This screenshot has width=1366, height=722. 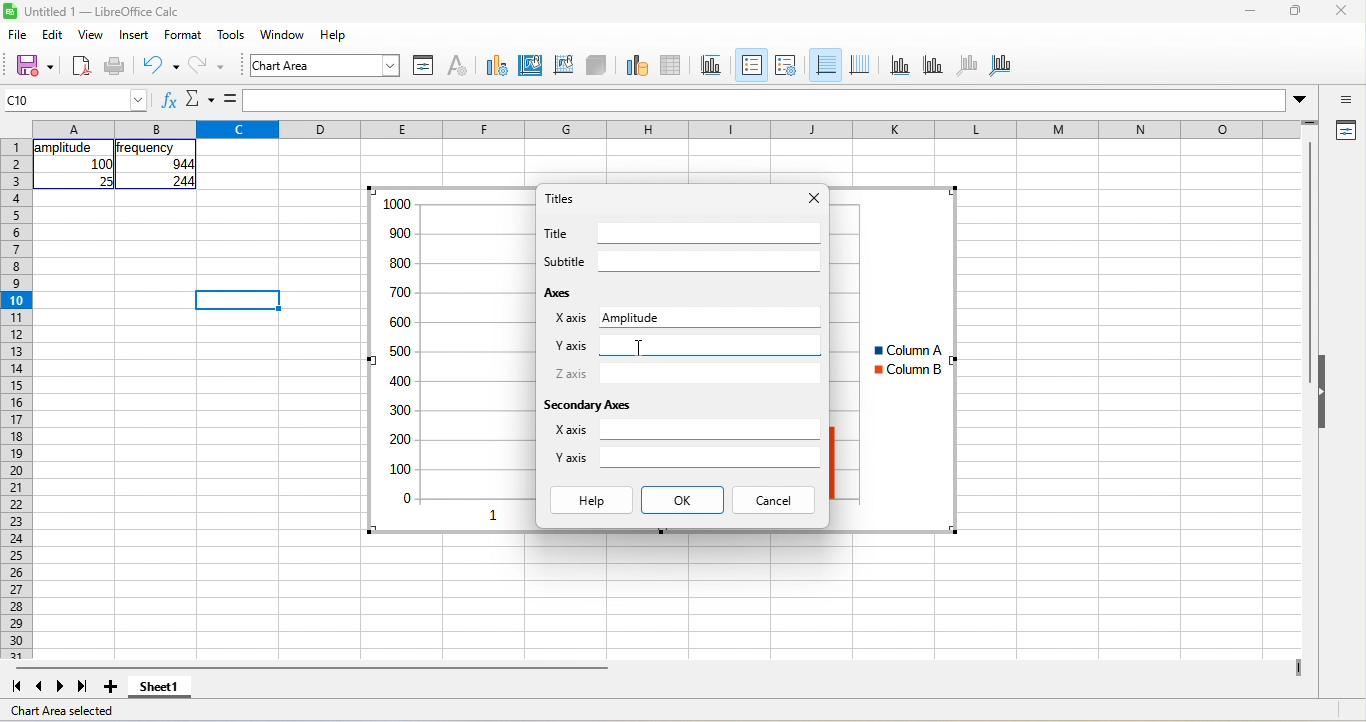 What do you see at coordinates (555, 233) in the screenshot?
I see `Title` at bounding box center [555, 233].